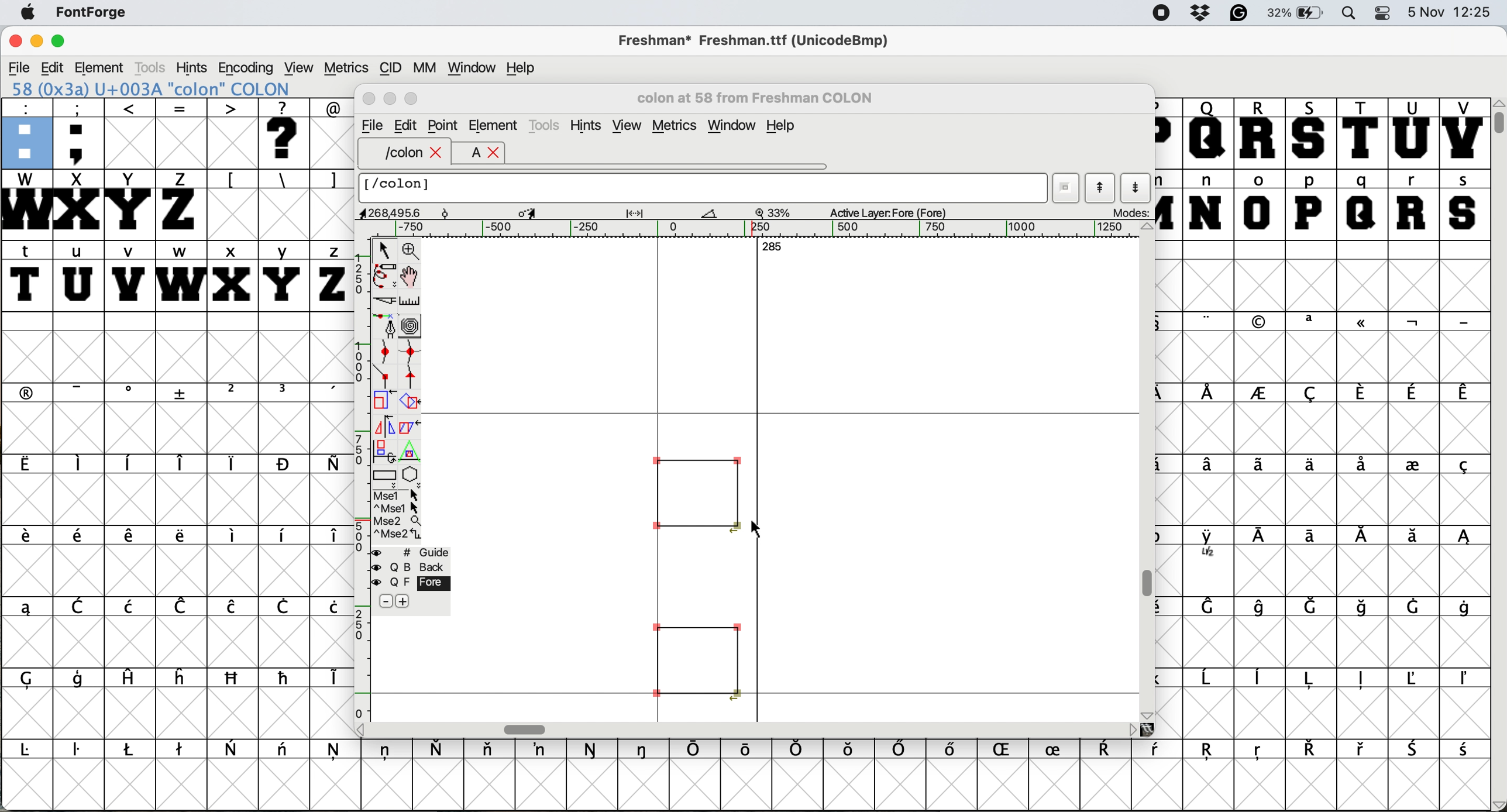 The image size is (1507, 812). I want to click on symbol, so click(1363, 466).